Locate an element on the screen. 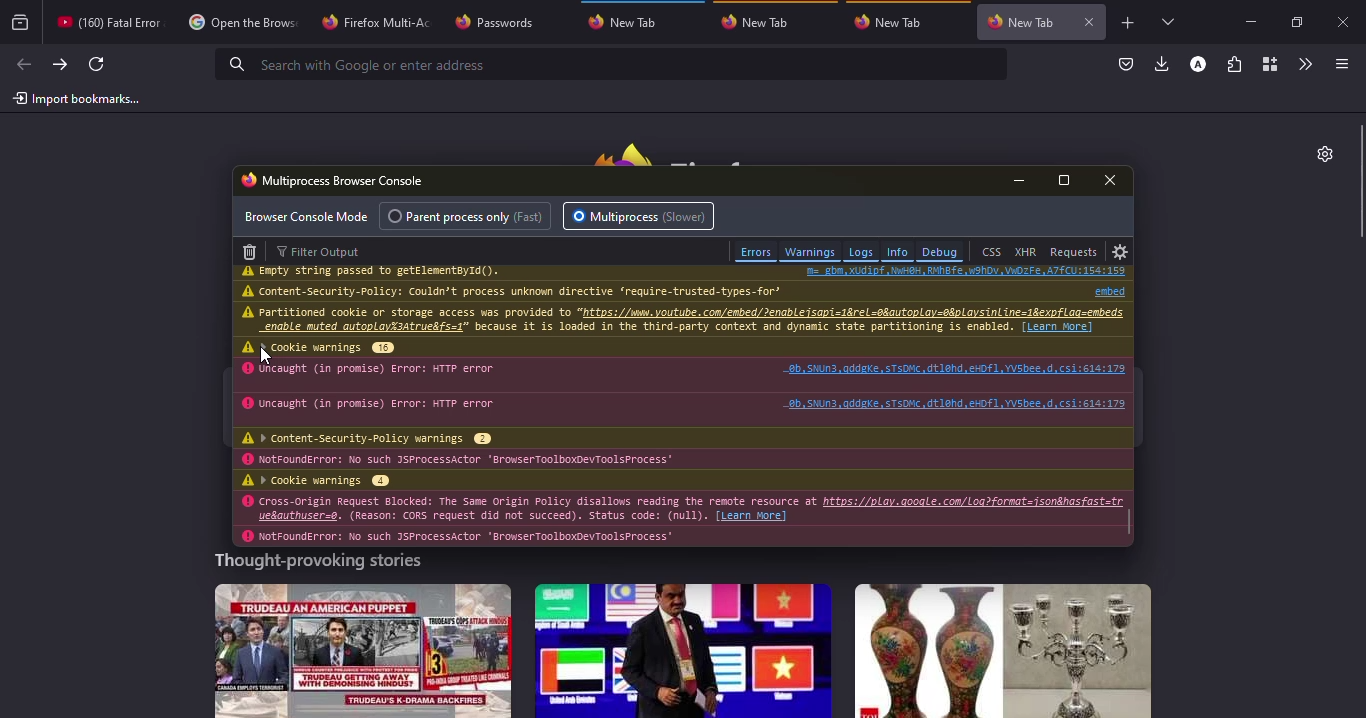 Image resolution: width=1366 pixels, height=718 pixels. tab is located at coordinates (503, 21).